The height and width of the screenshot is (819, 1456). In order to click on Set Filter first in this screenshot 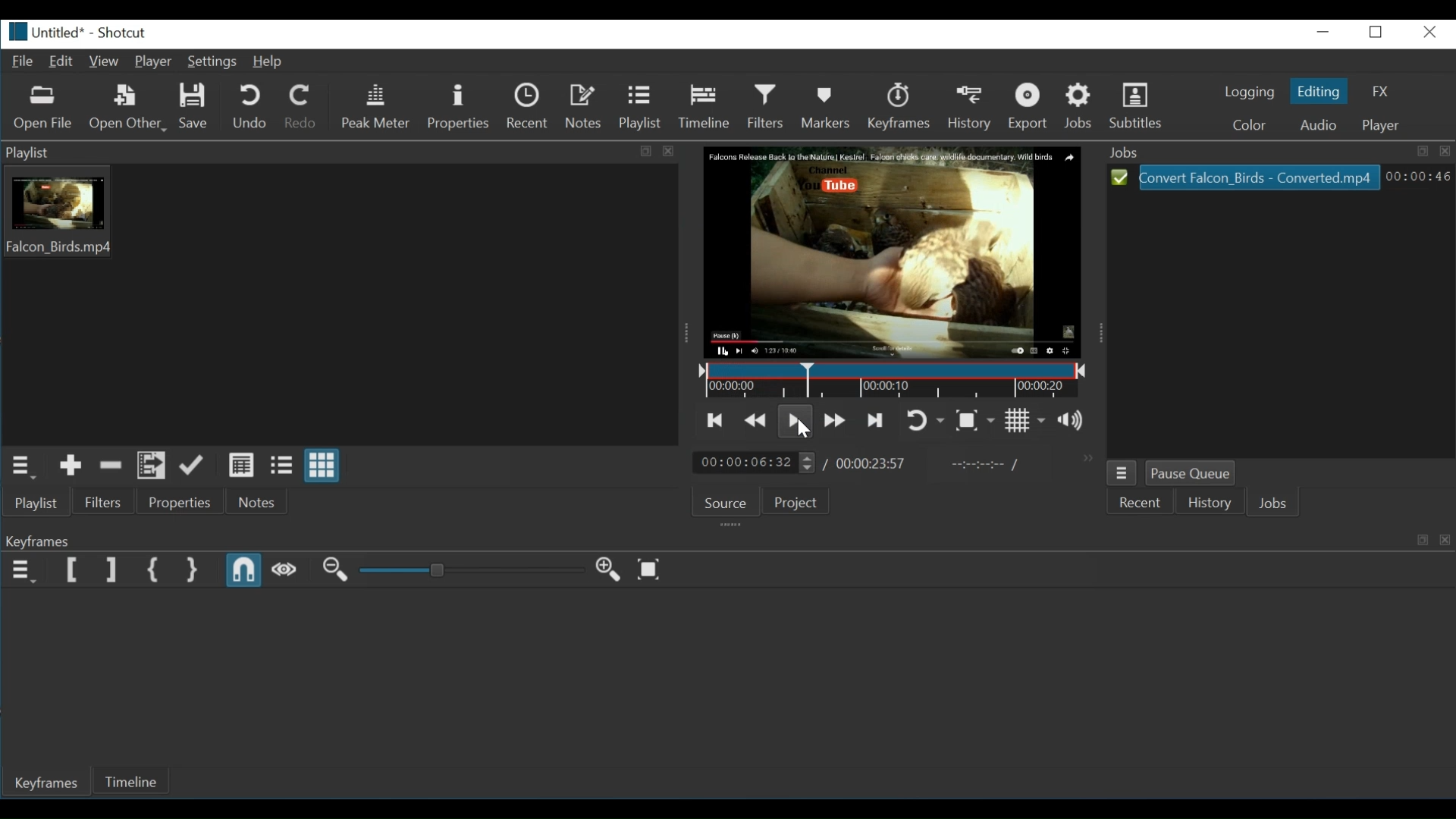, I will do `click(70, 571)`.